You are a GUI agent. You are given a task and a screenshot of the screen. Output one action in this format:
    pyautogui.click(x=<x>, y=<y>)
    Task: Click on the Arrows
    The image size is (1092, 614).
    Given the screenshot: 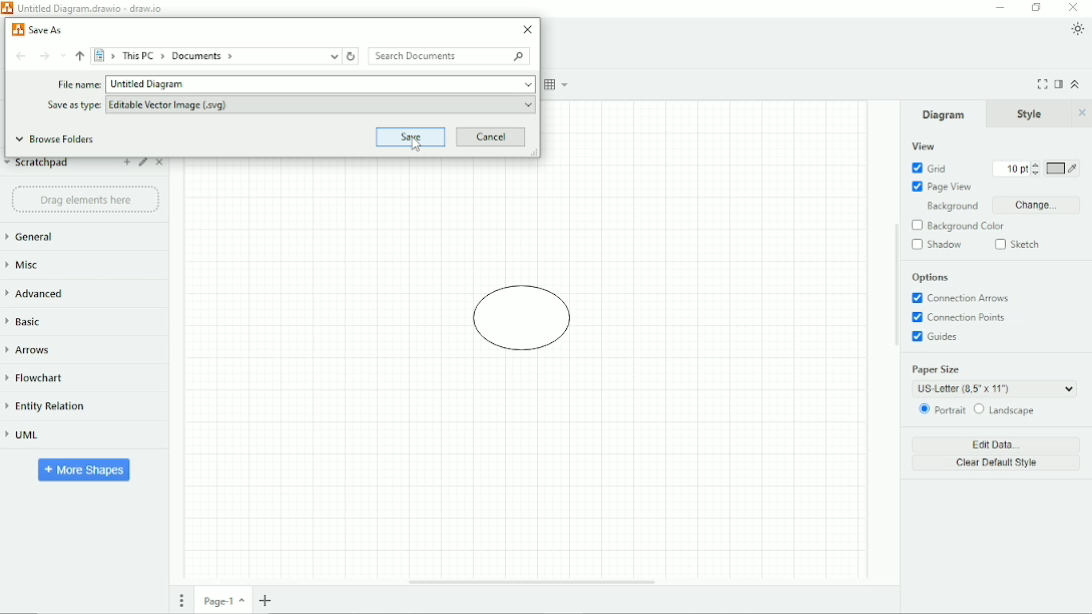 What is the action you would take?
    pyautogui.click(x=35, y=352)
    